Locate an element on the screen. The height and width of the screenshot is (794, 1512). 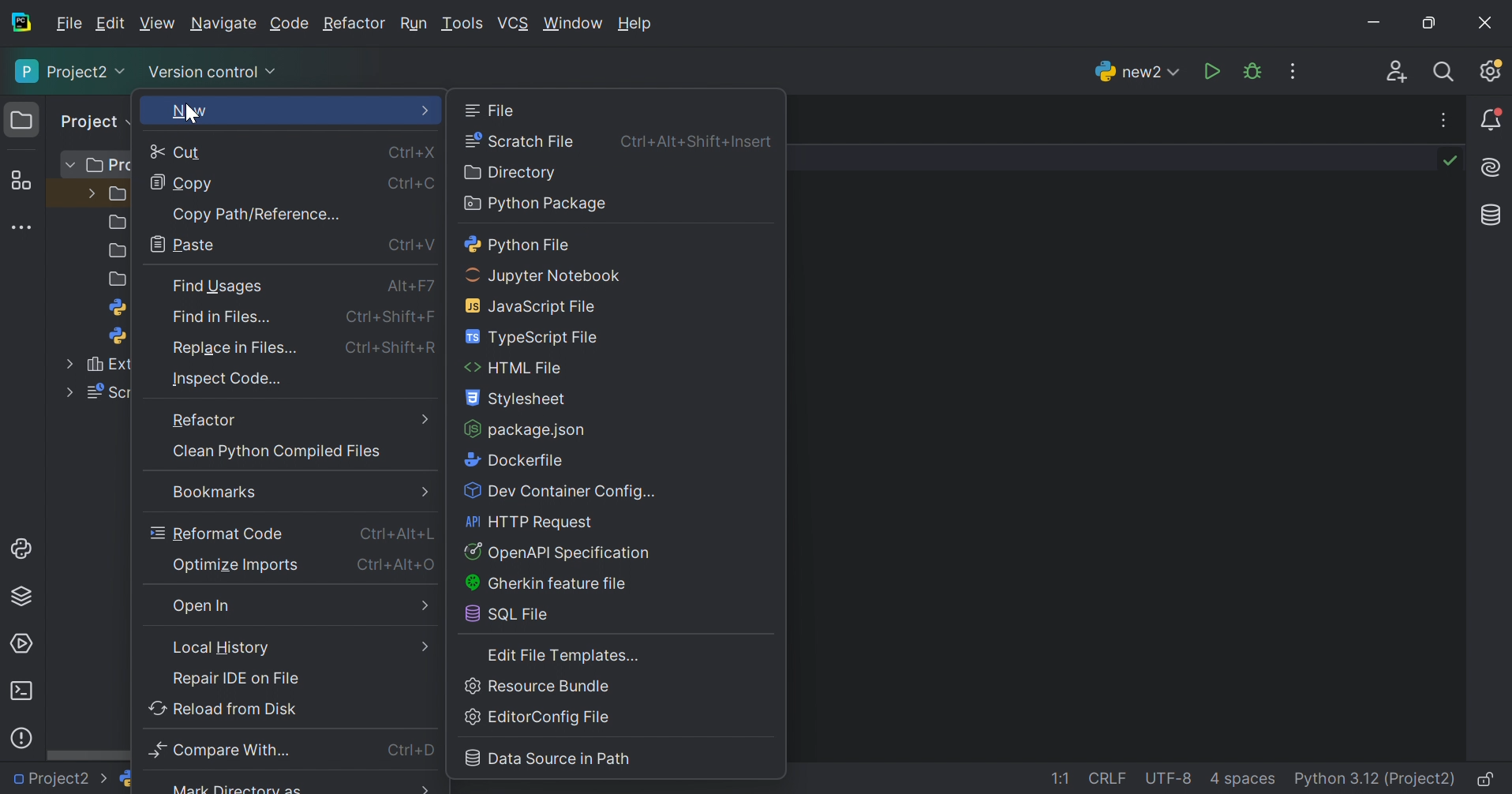
Ctrl+D is located at coordinates (414, 751).